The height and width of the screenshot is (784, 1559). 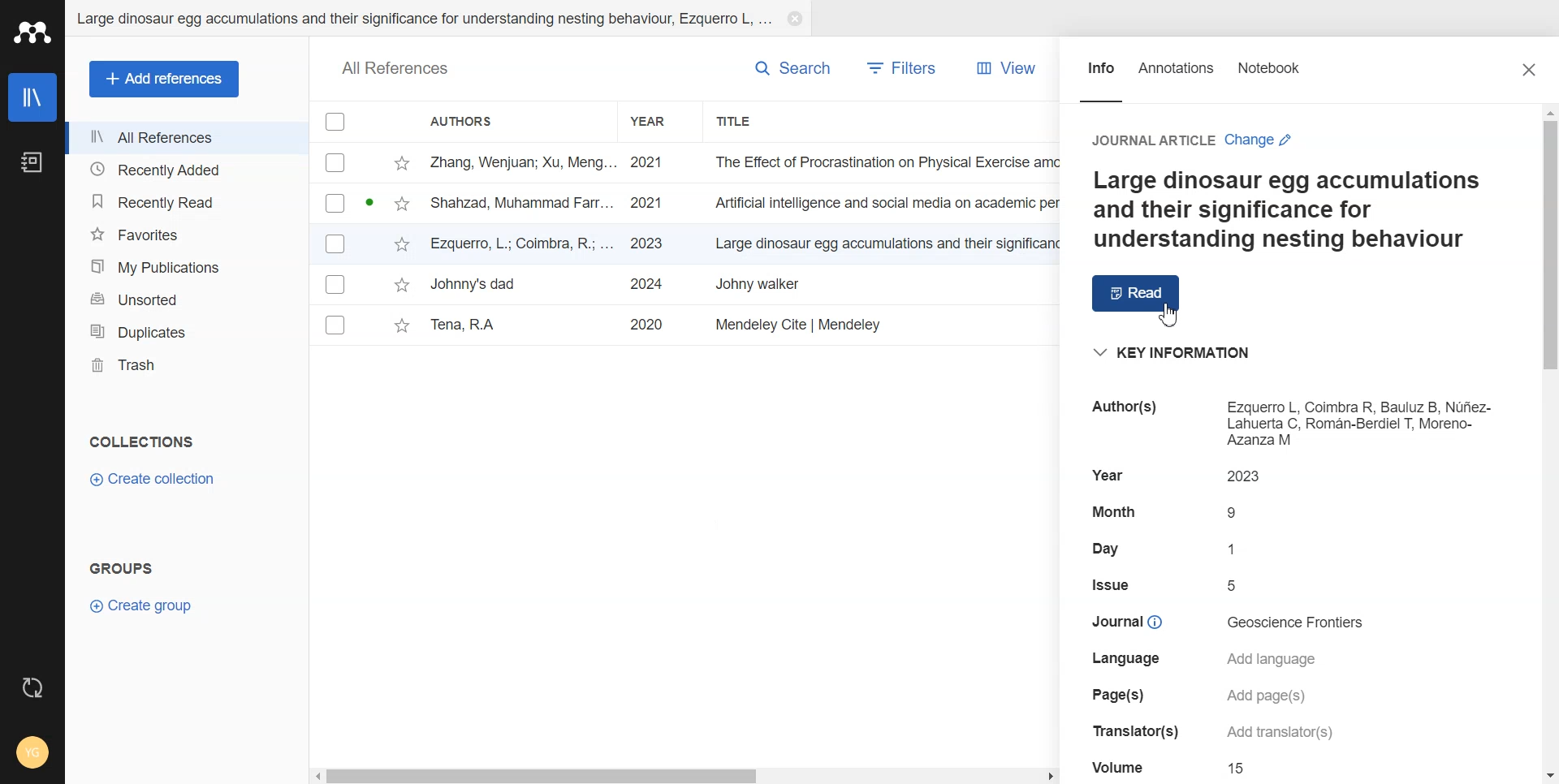 I want to click on text, so click(x=1118, y=694).